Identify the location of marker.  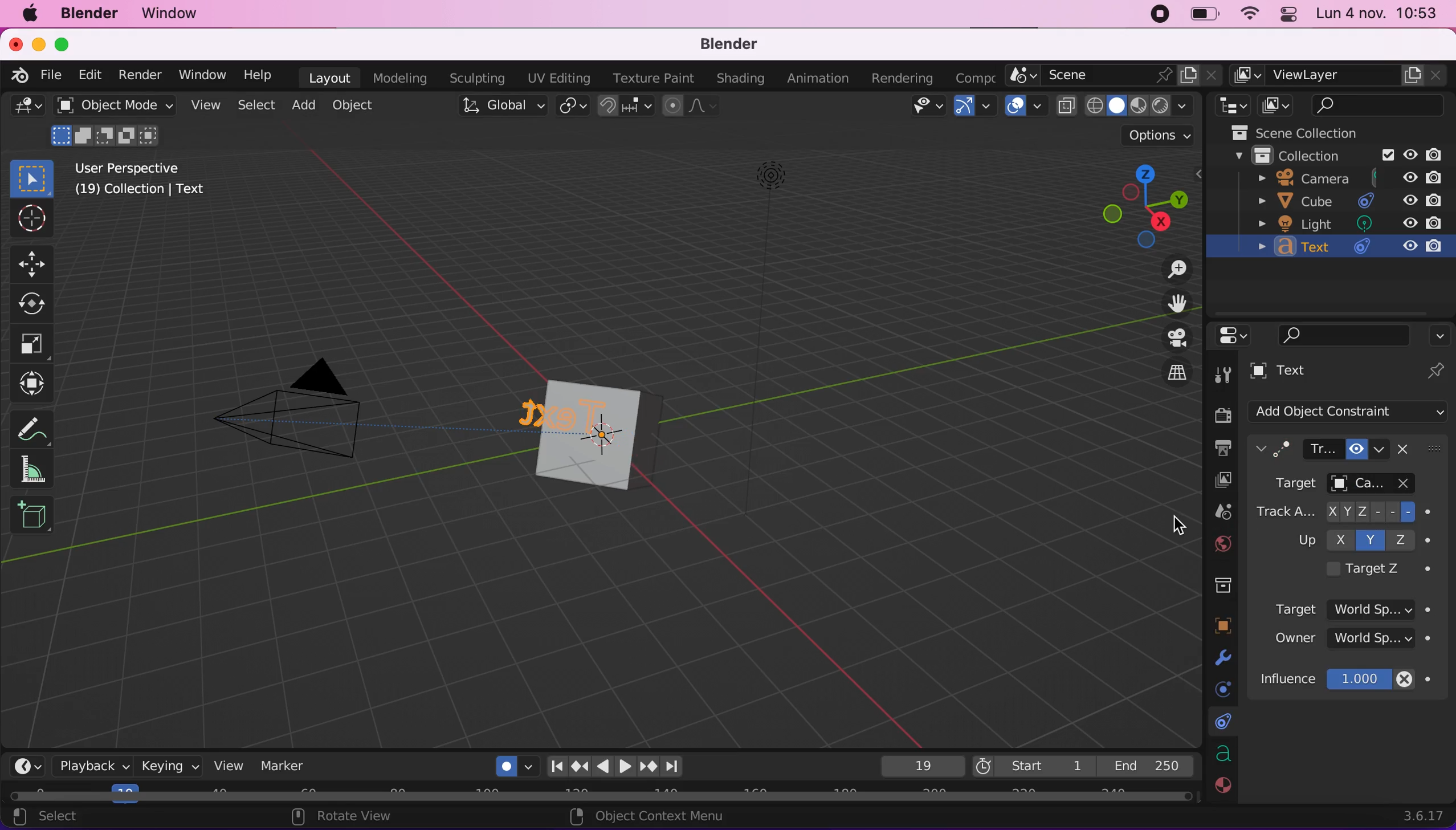
(285, 766).